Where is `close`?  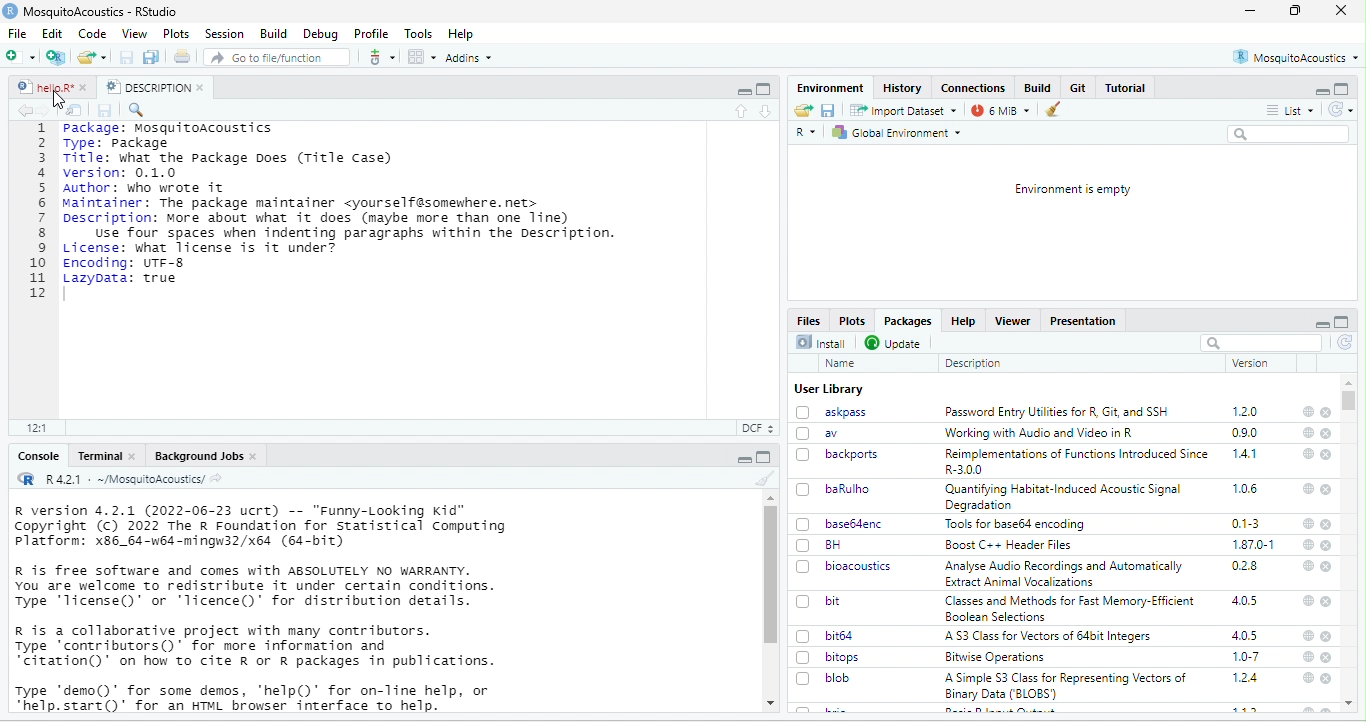
close is located at coordinates (1326, 412).